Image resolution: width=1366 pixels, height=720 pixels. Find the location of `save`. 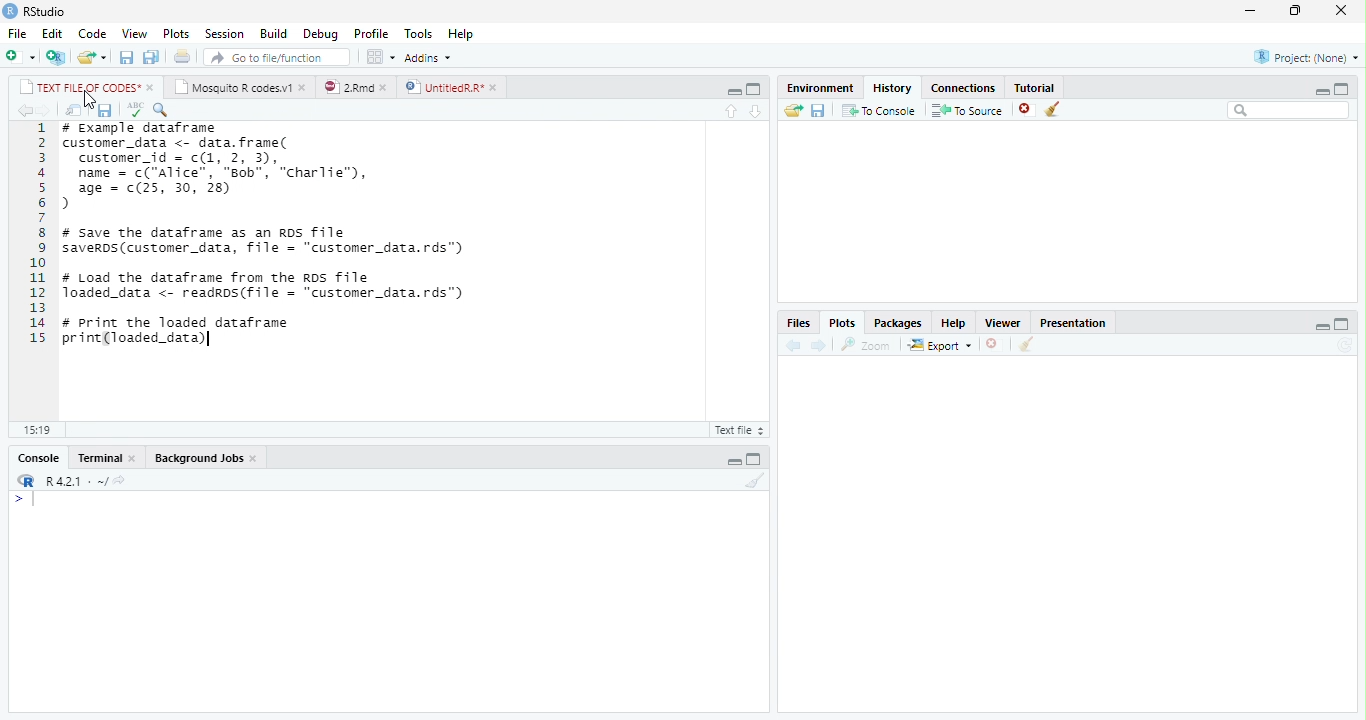

save is located at coordinates (104, 111).